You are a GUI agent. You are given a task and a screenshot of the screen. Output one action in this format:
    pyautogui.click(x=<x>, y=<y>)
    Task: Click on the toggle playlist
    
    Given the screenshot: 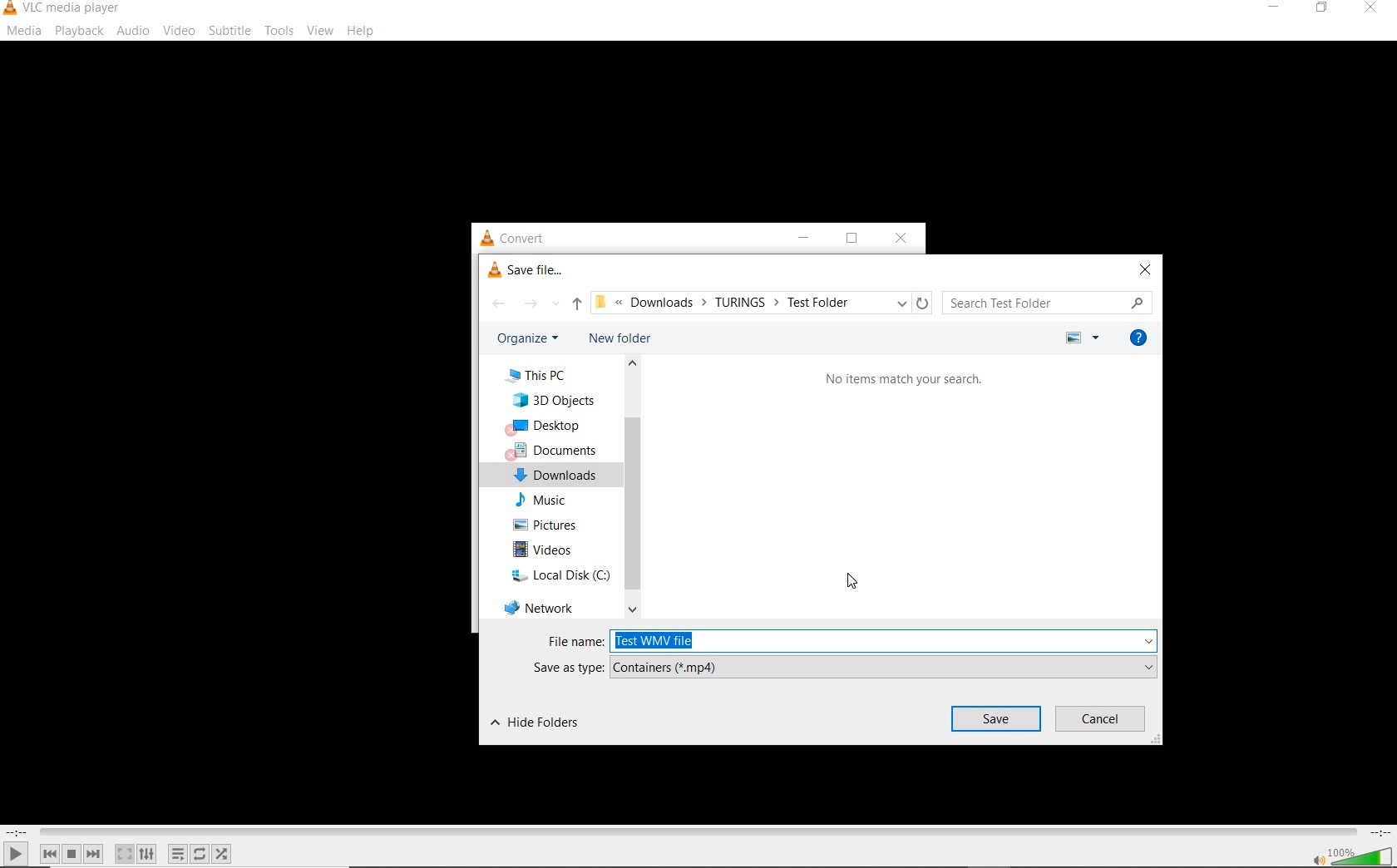 What is the action you would take?
    pyautogui.click(x=178, y=854)
    